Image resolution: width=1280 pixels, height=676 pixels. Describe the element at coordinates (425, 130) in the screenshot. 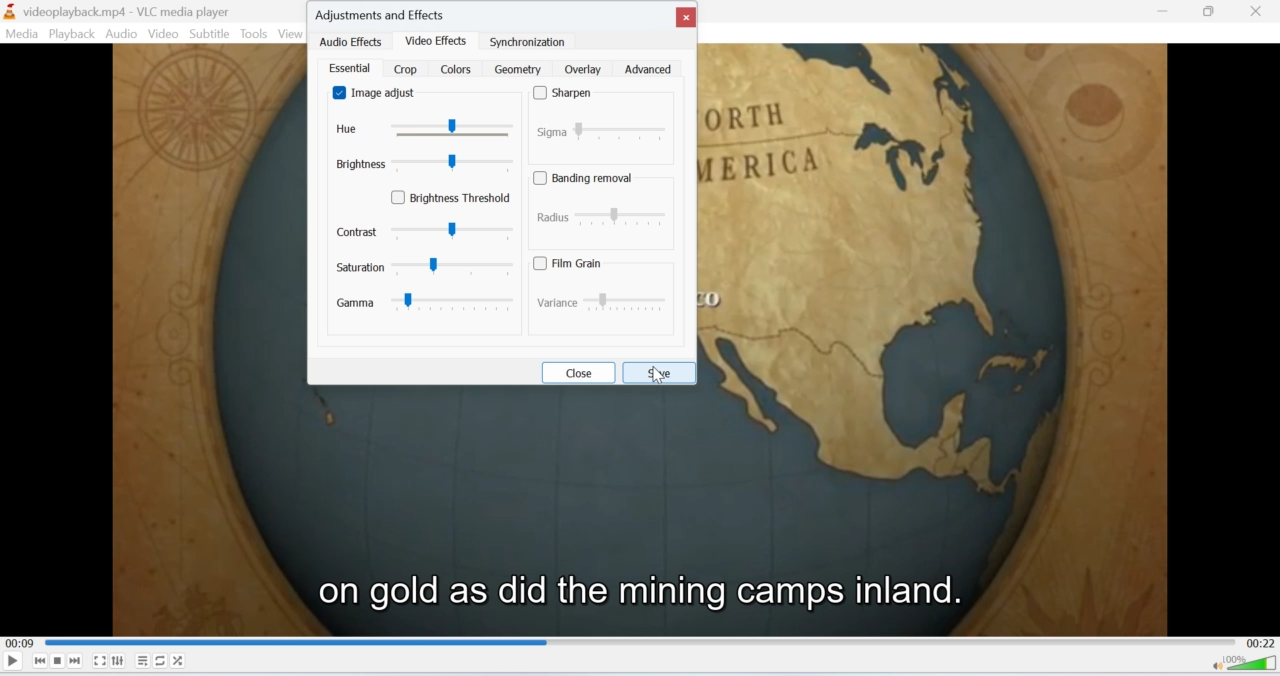

I see `Hue` at that location.